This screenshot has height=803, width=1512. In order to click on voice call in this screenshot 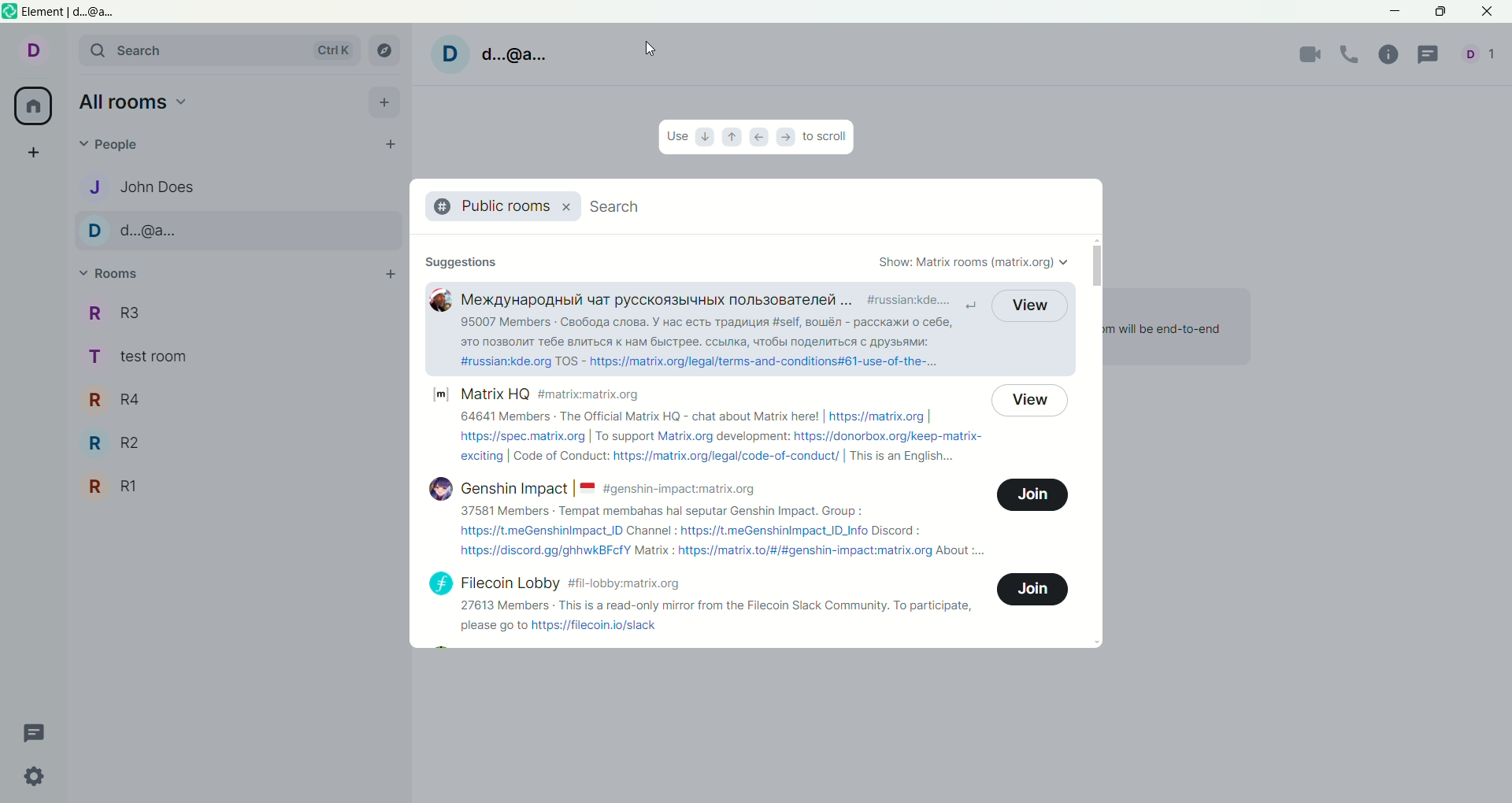, I will do `click(1351, 54)`.